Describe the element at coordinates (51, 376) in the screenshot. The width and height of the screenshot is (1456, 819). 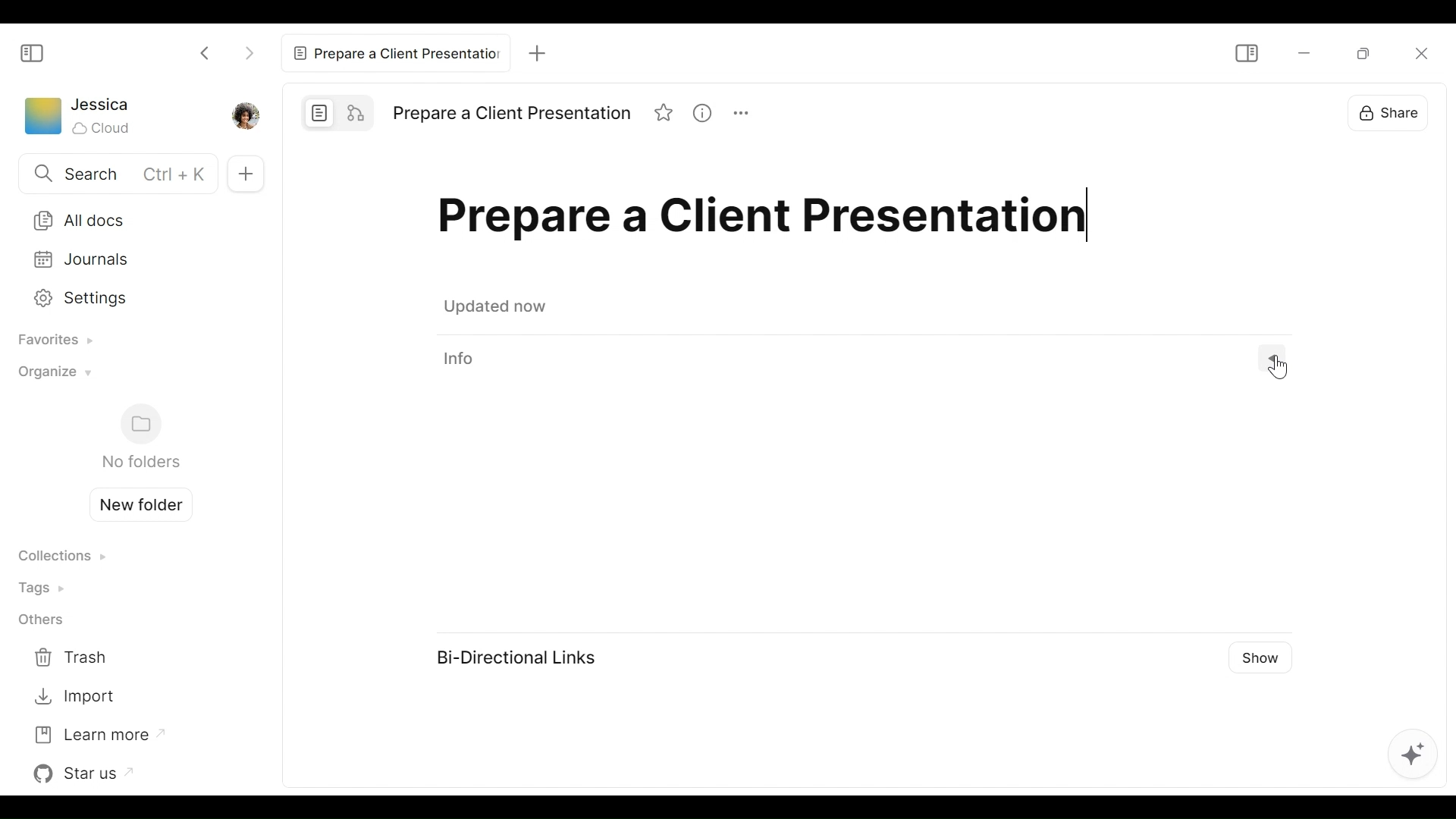
I see `Organize` at that location.